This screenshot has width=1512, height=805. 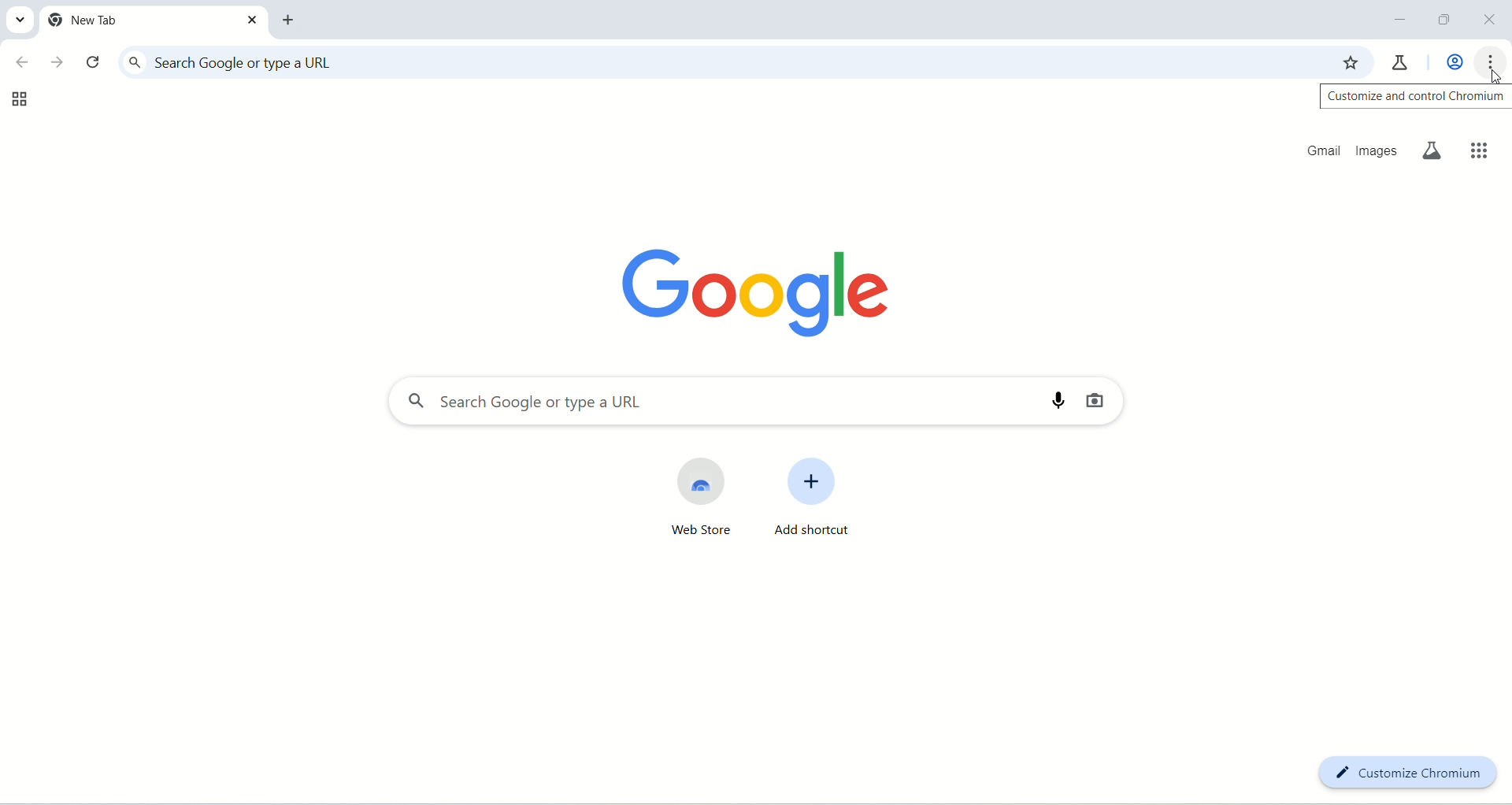 I want to click on new tab, so click(x=292, y=20).